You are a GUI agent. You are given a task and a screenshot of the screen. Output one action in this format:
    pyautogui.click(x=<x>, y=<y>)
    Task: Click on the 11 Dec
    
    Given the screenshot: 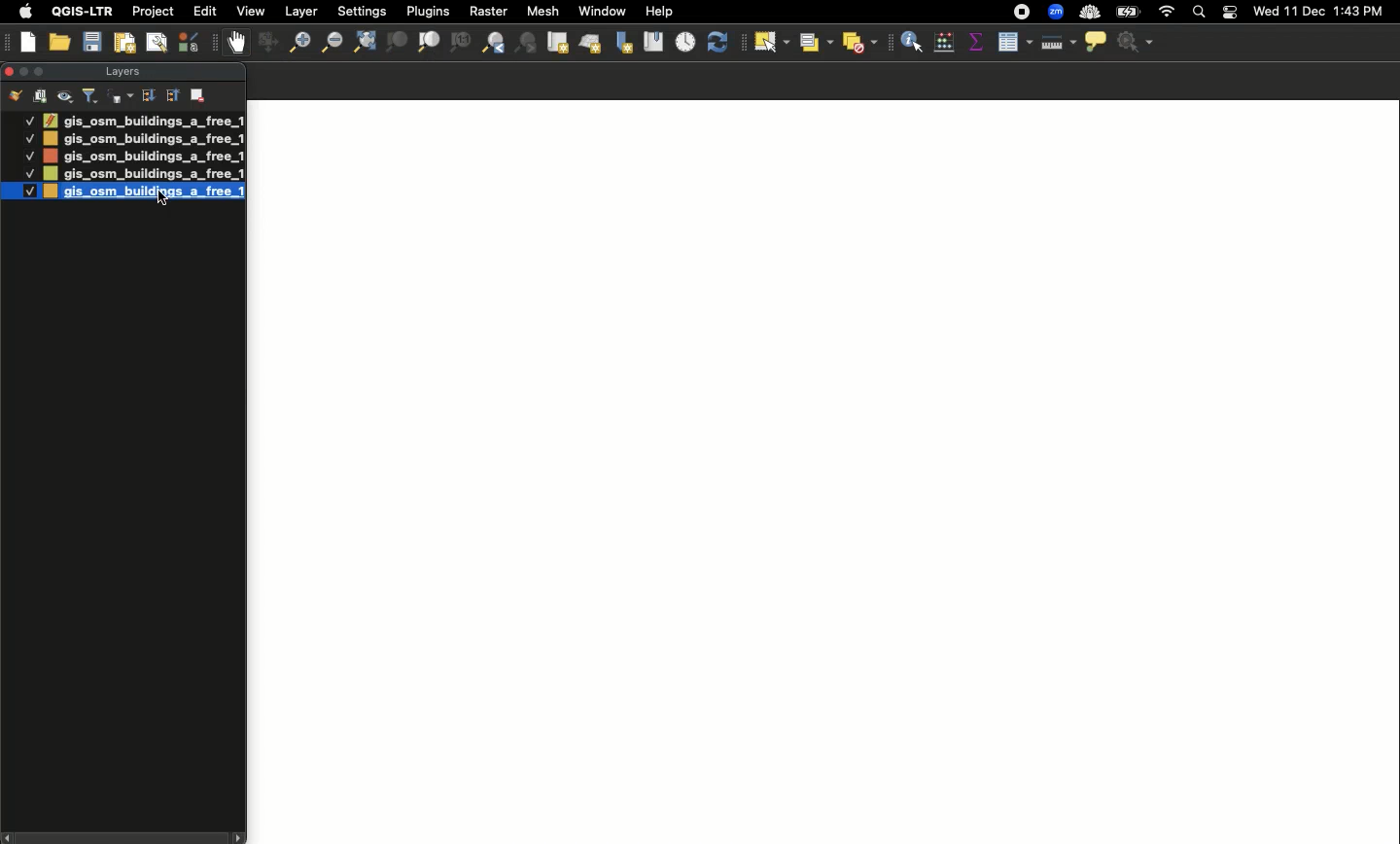 What is the action you would take?
    pyautogui.click(x=1306, y=14)
    